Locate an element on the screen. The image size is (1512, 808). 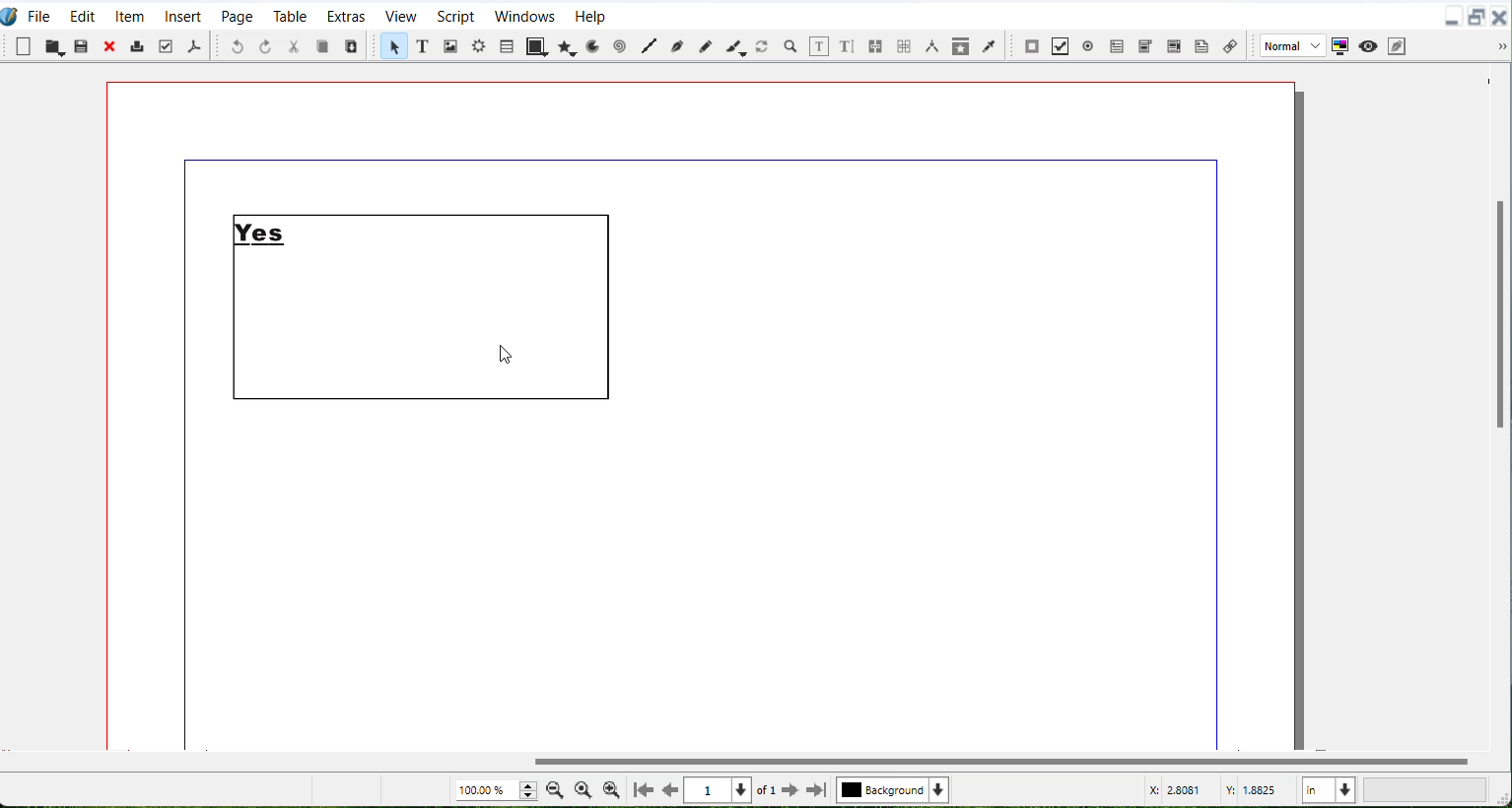
Open is located at coordinates (53, 46).